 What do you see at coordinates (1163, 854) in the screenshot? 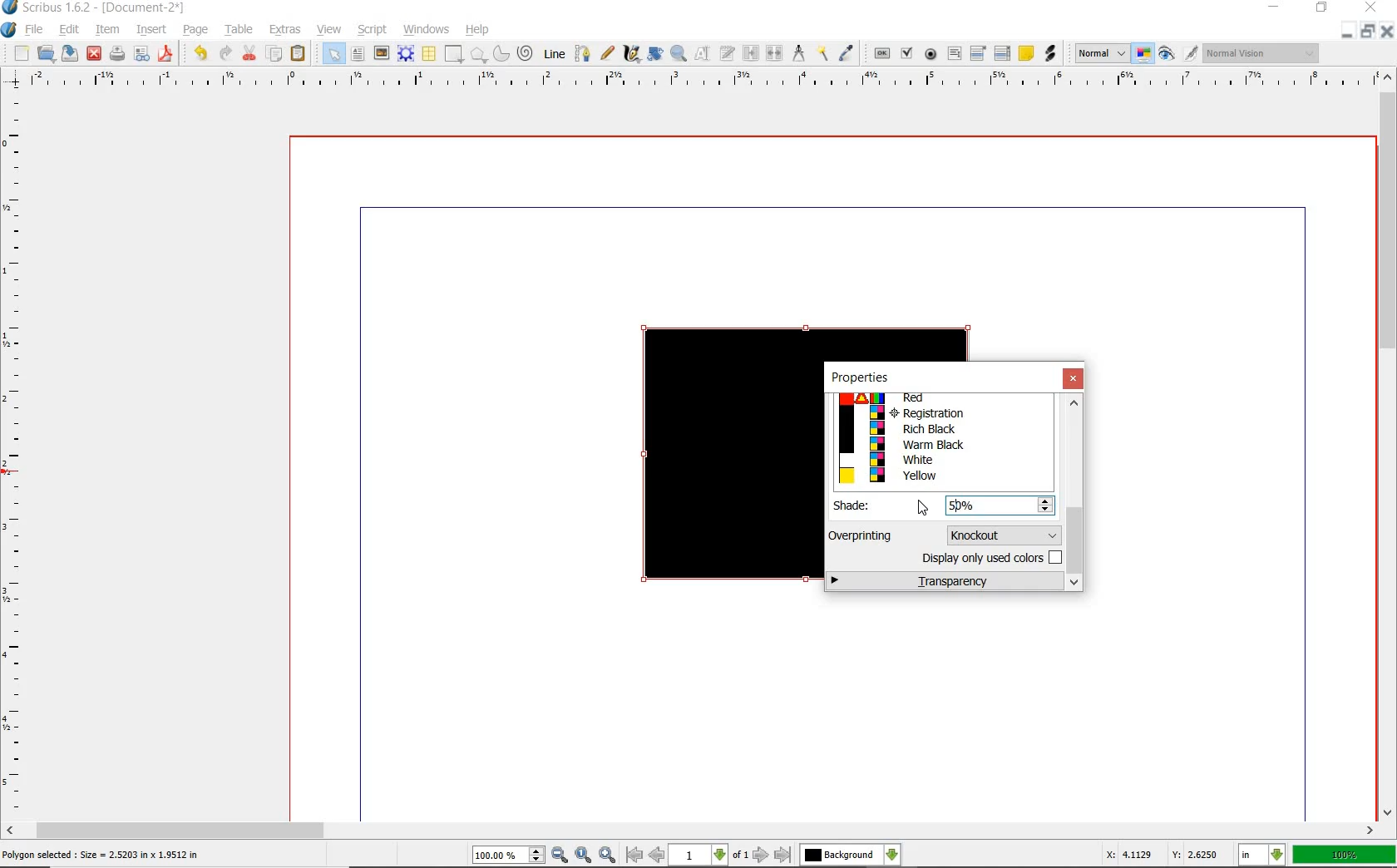
I see `X: 4.1129 Y: 2.6250` at bounding box center [1163, 854].